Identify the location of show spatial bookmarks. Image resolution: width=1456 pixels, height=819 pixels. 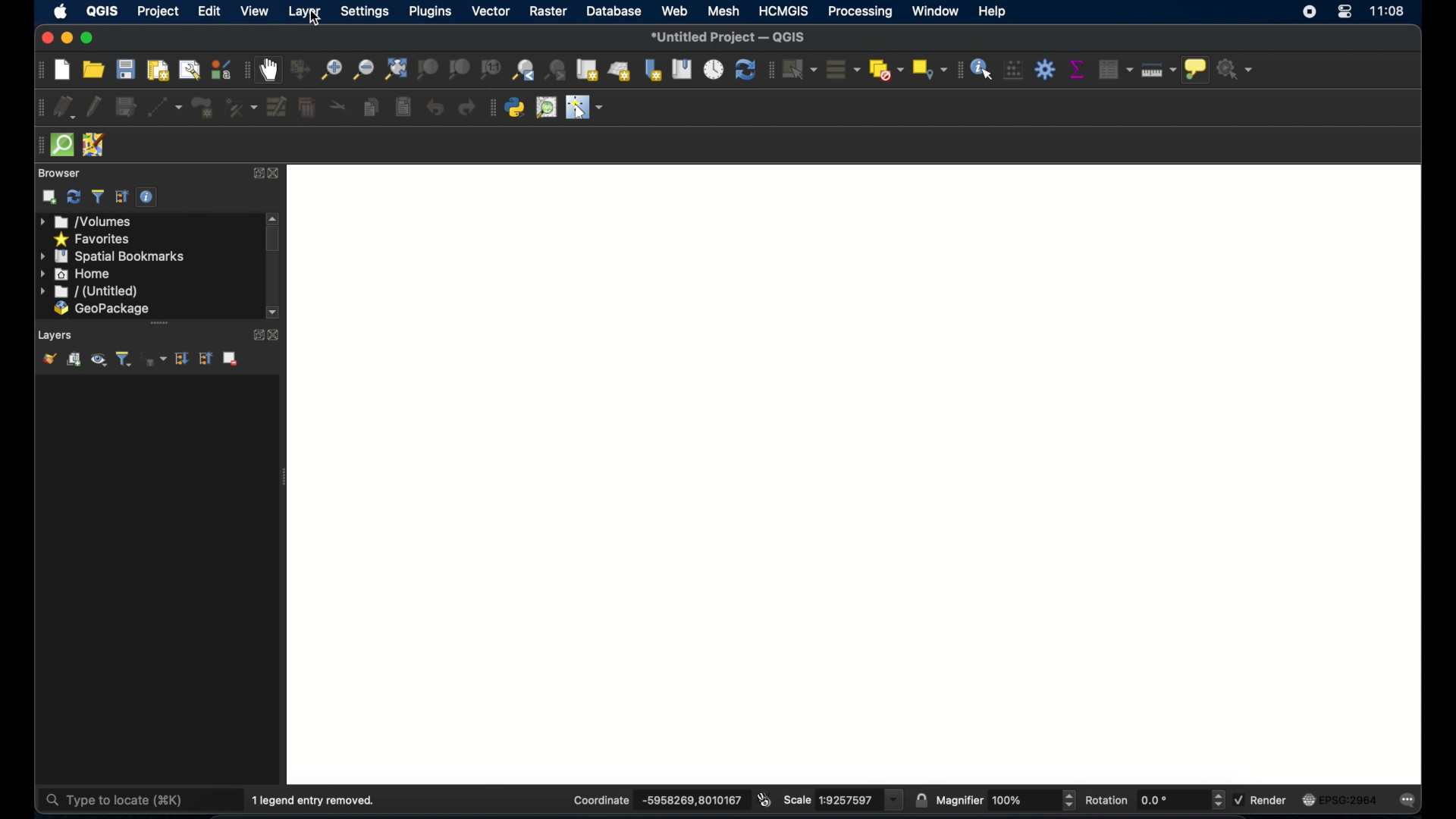
(681, 69).